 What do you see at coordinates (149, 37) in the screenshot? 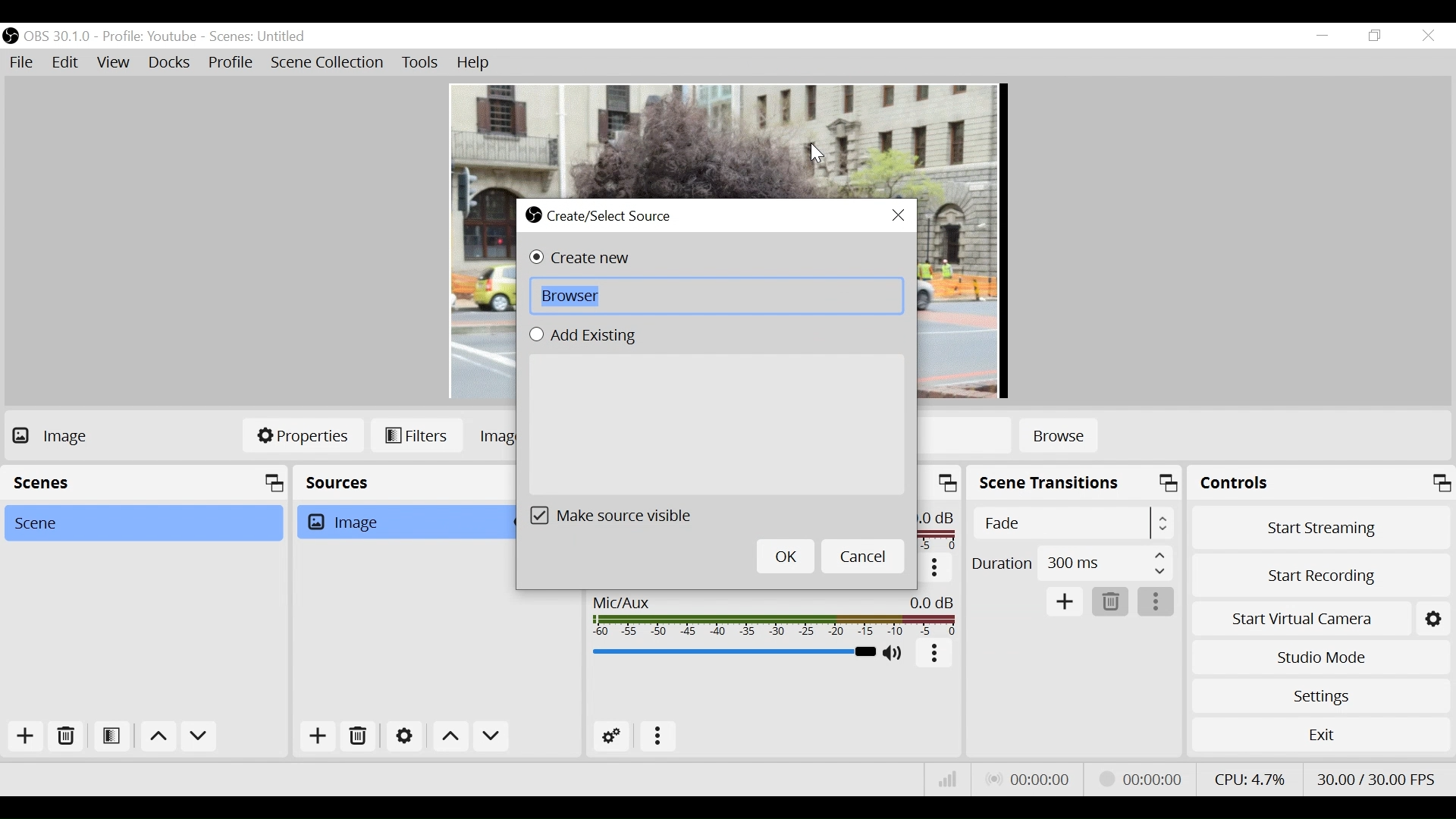
I see `Profile: Youtube` at bounding box center [149, 37].